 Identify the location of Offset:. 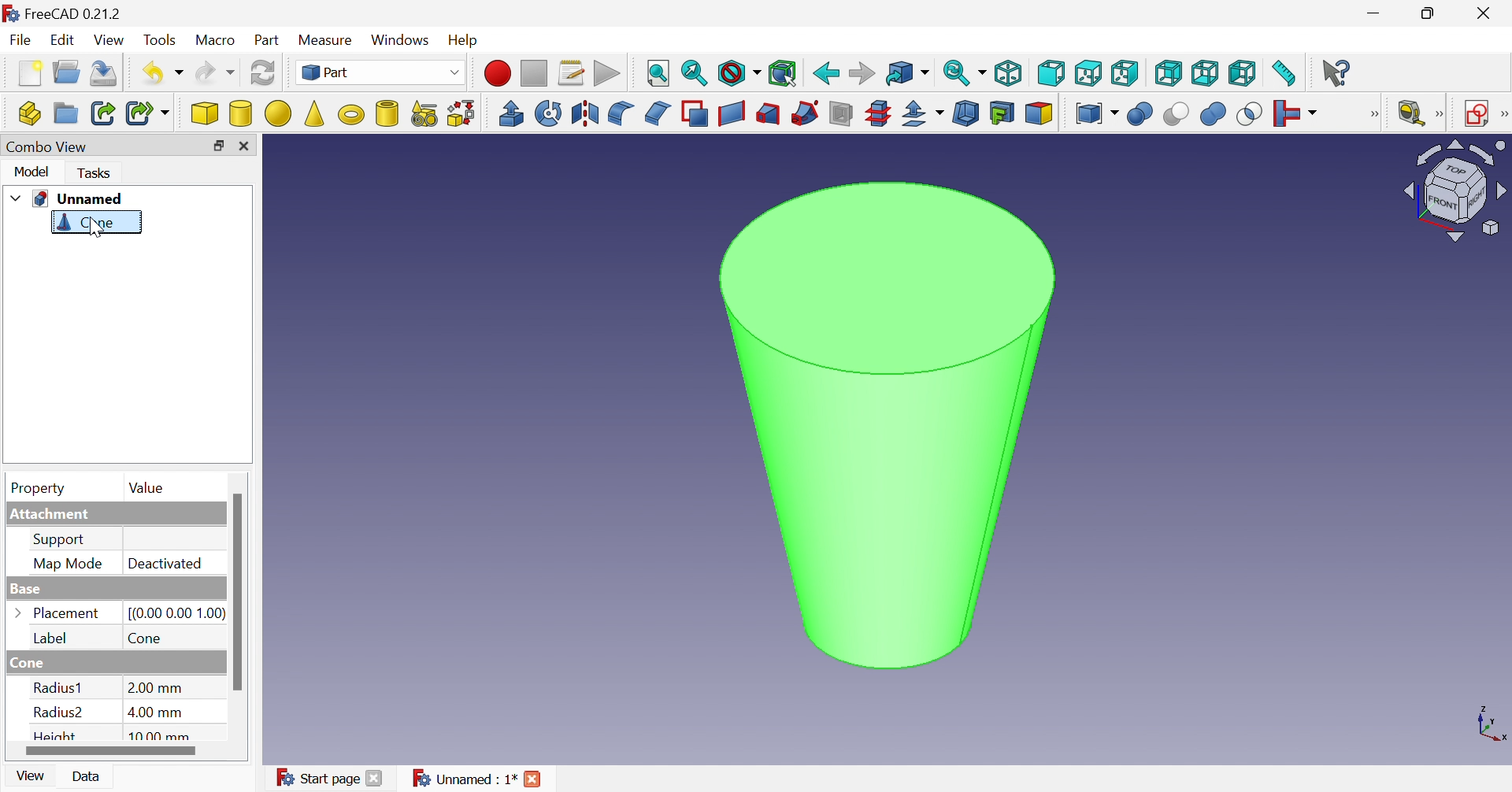
(924, 114).